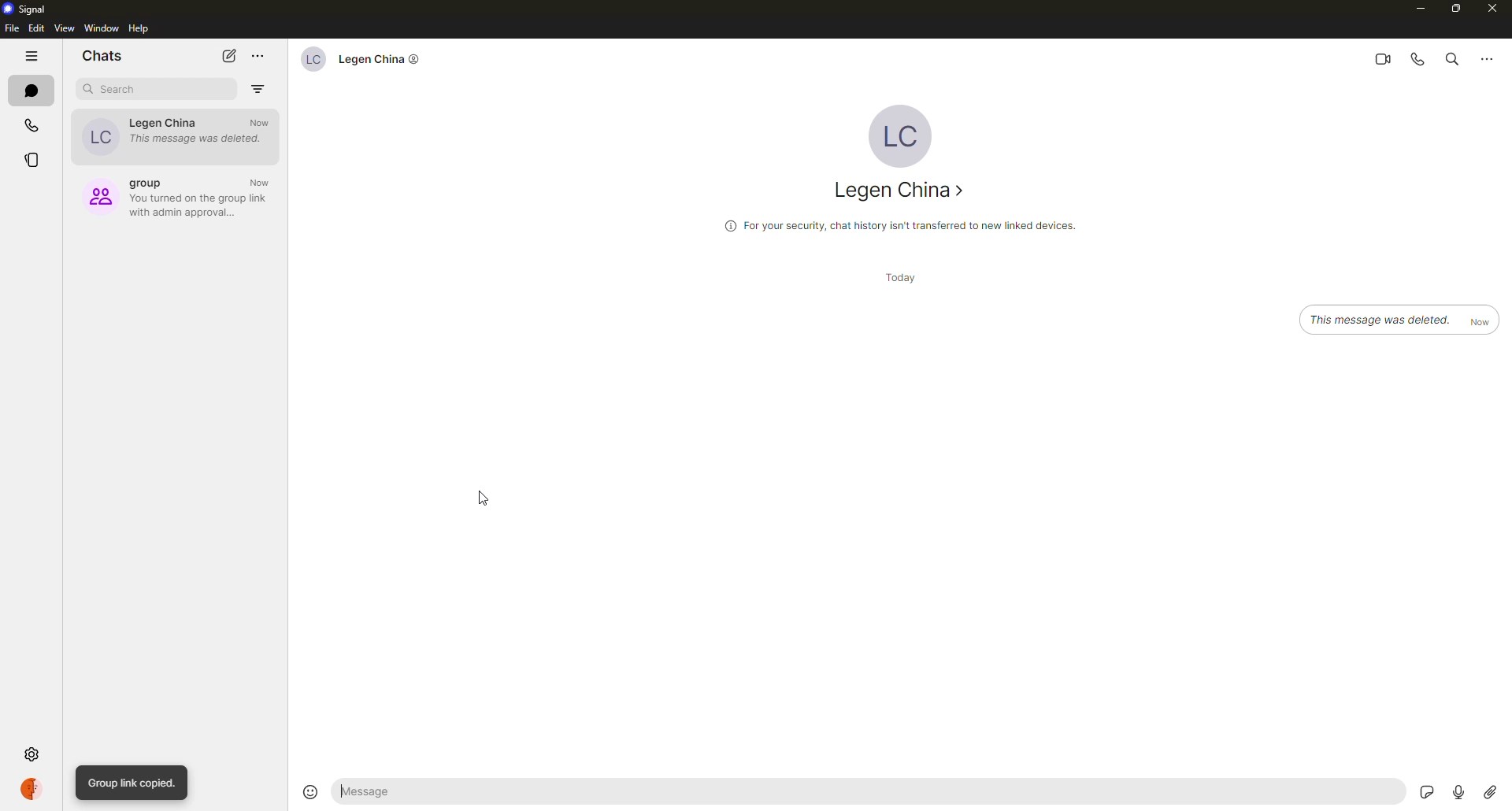 The image size is (1512, 811). Describe the element at coordinates (33, 57) in the screenshot. I see `hide tabs` at that location.